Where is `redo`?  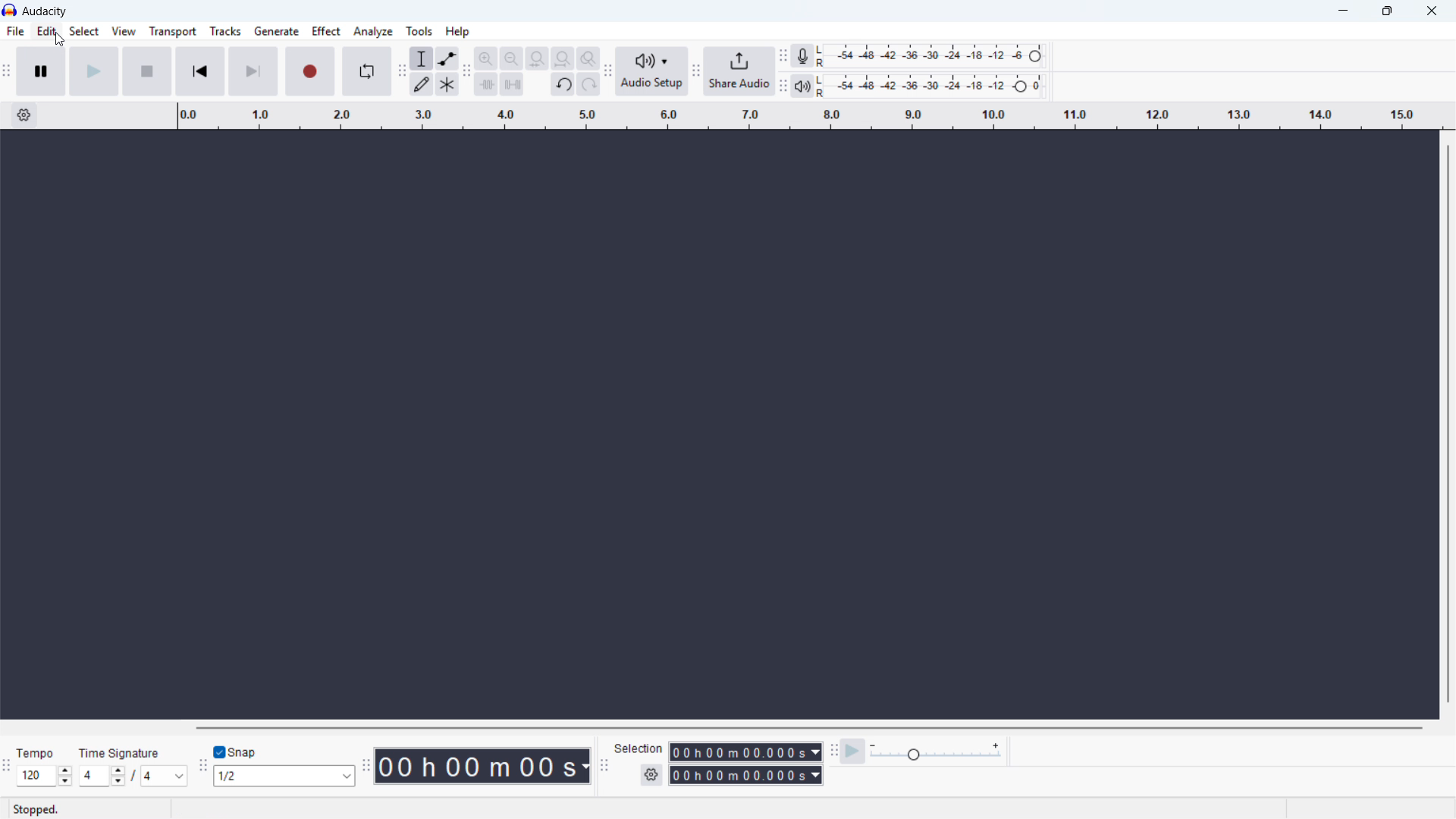
redo is located at coordinates (588, 83).